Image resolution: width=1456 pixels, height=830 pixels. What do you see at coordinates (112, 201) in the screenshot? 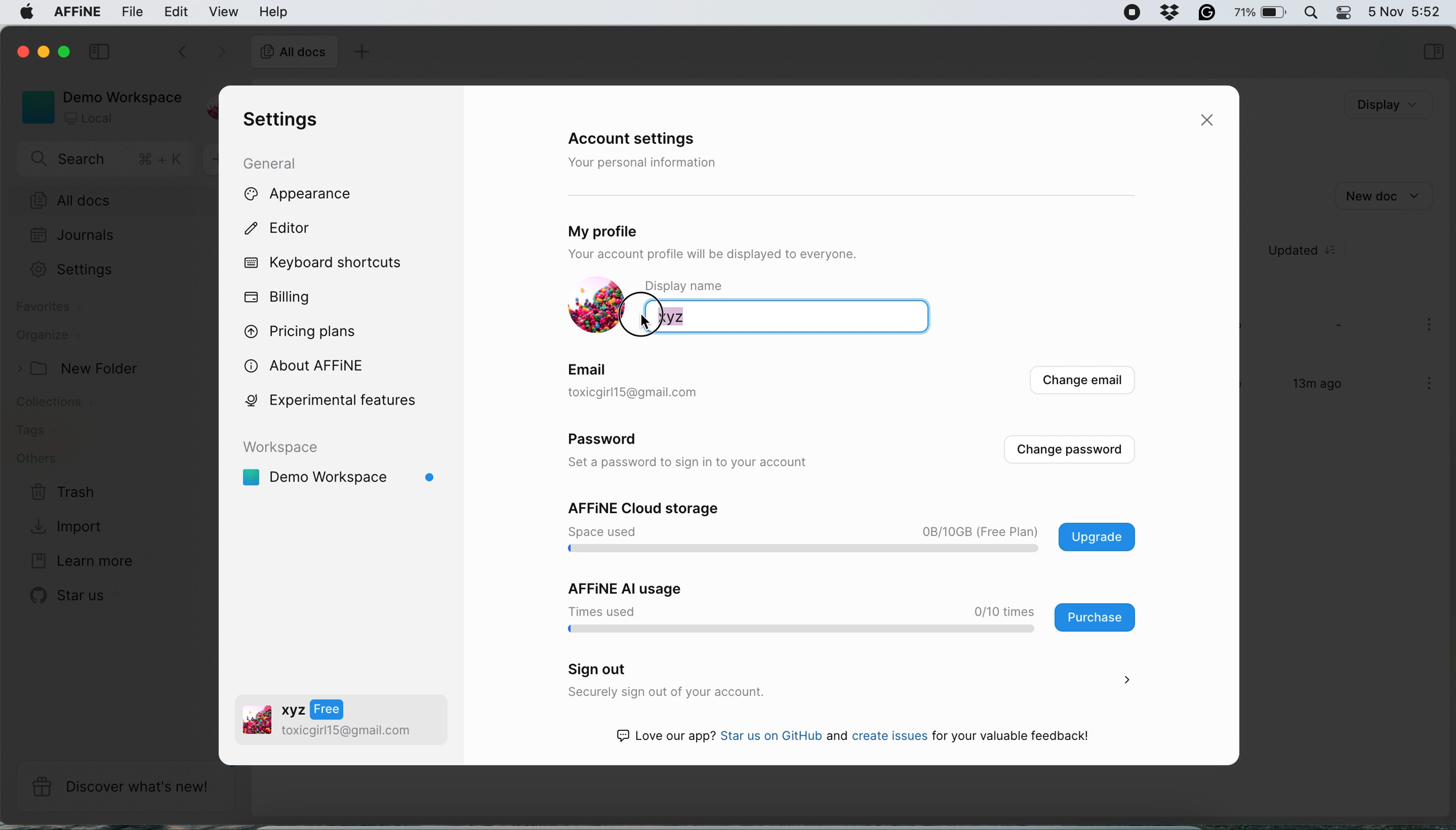
I see `all docs` at bounding box center [112, 201].